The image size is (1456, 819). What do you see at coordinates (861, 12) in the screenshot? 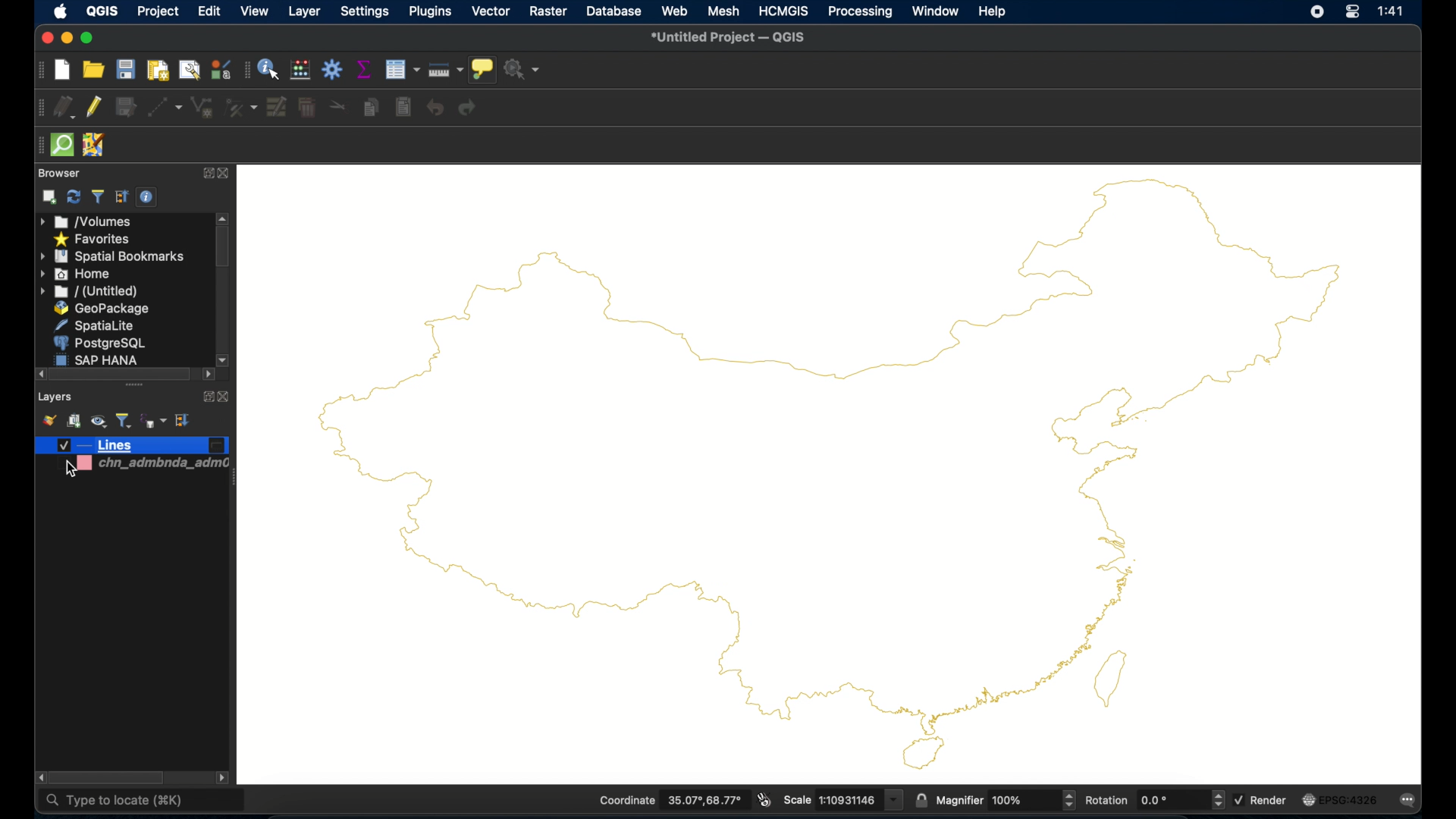
I see `processing ` at bounding box center [861, 12].